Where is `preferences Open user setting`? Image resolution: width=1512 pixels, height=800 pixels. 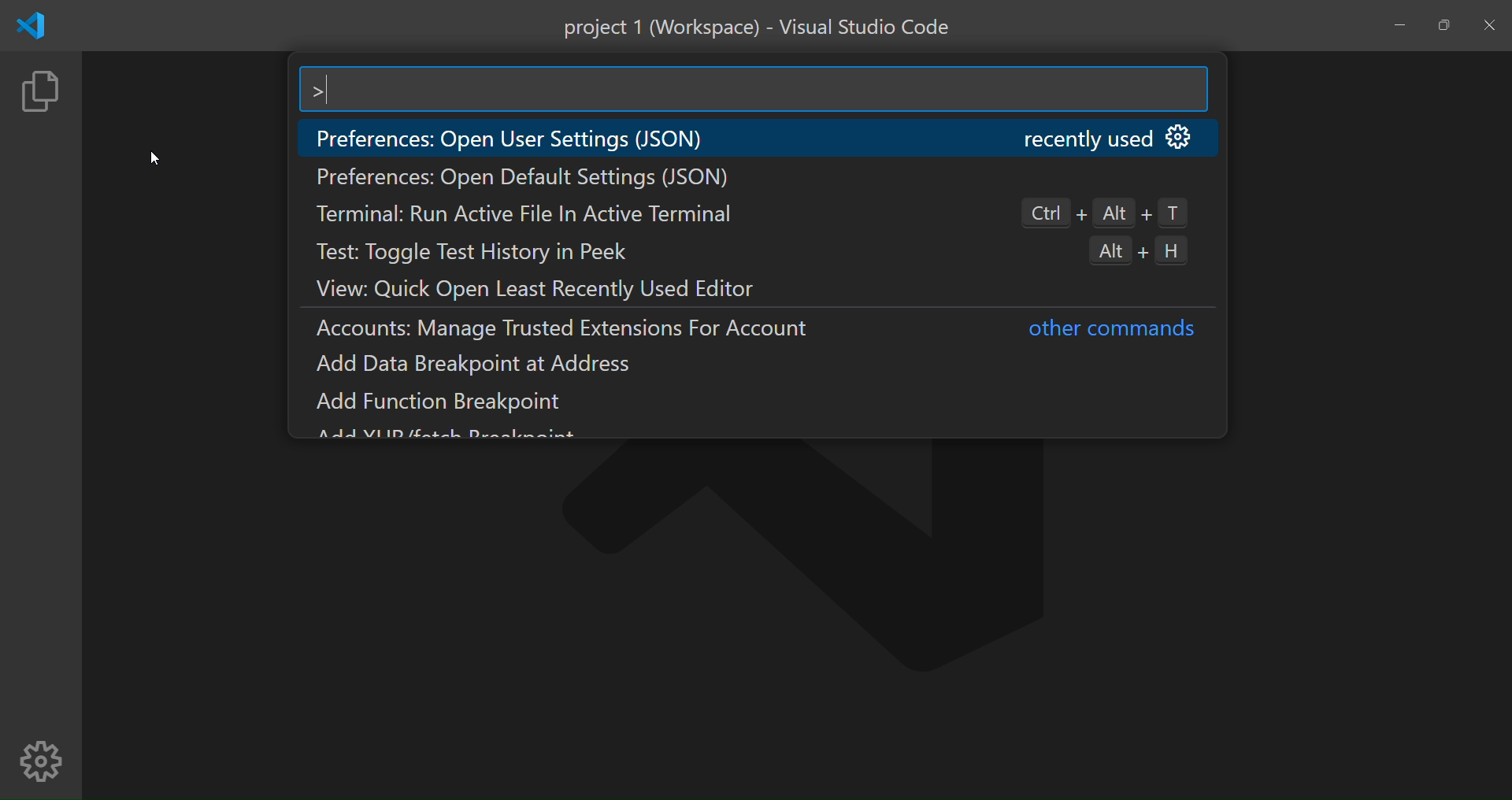
preferences Open user setting is located at coordinates (523, 139).